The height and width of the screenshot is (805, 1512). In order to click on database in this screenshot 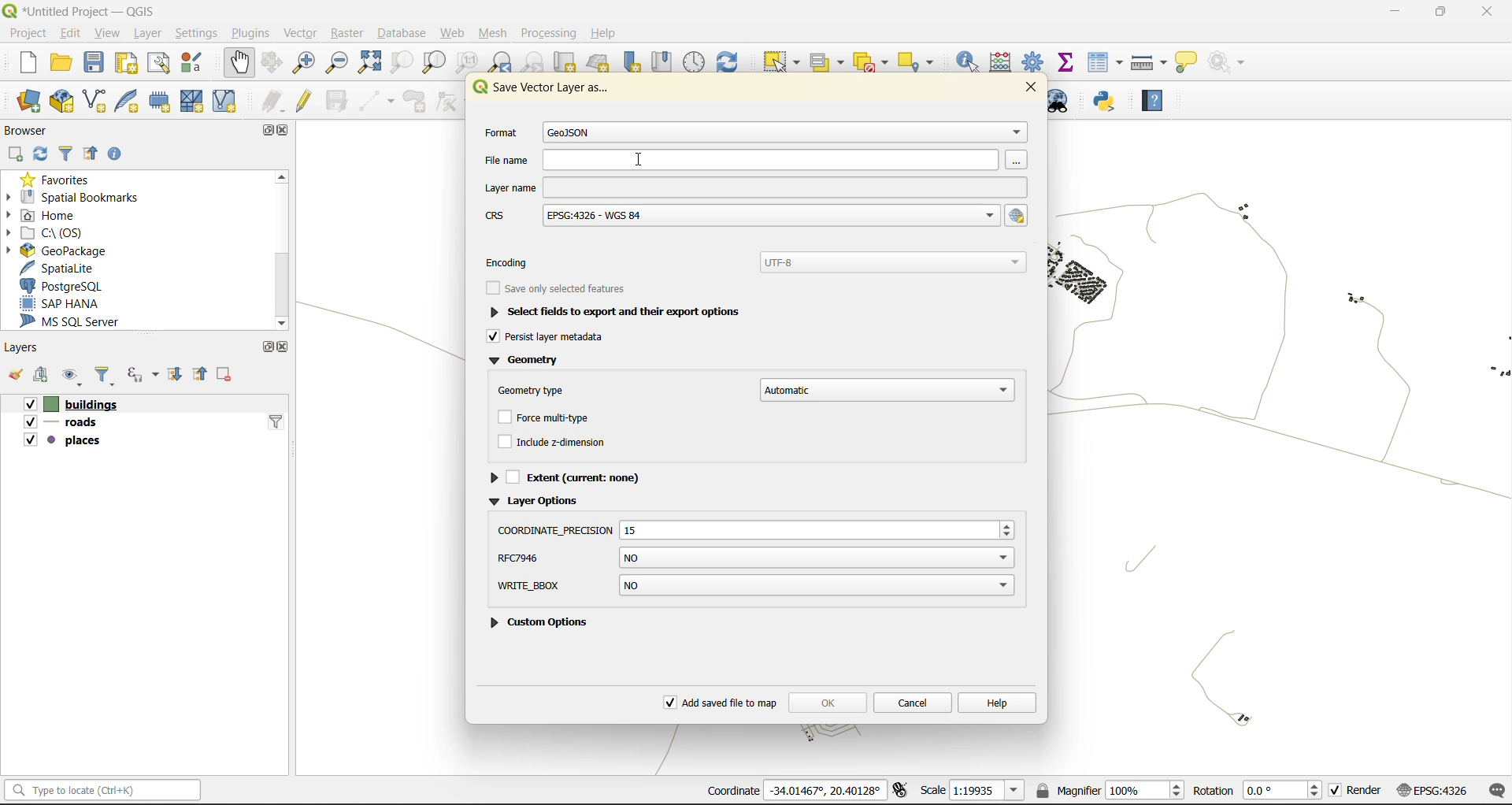, I will do `click(405, 32)`.